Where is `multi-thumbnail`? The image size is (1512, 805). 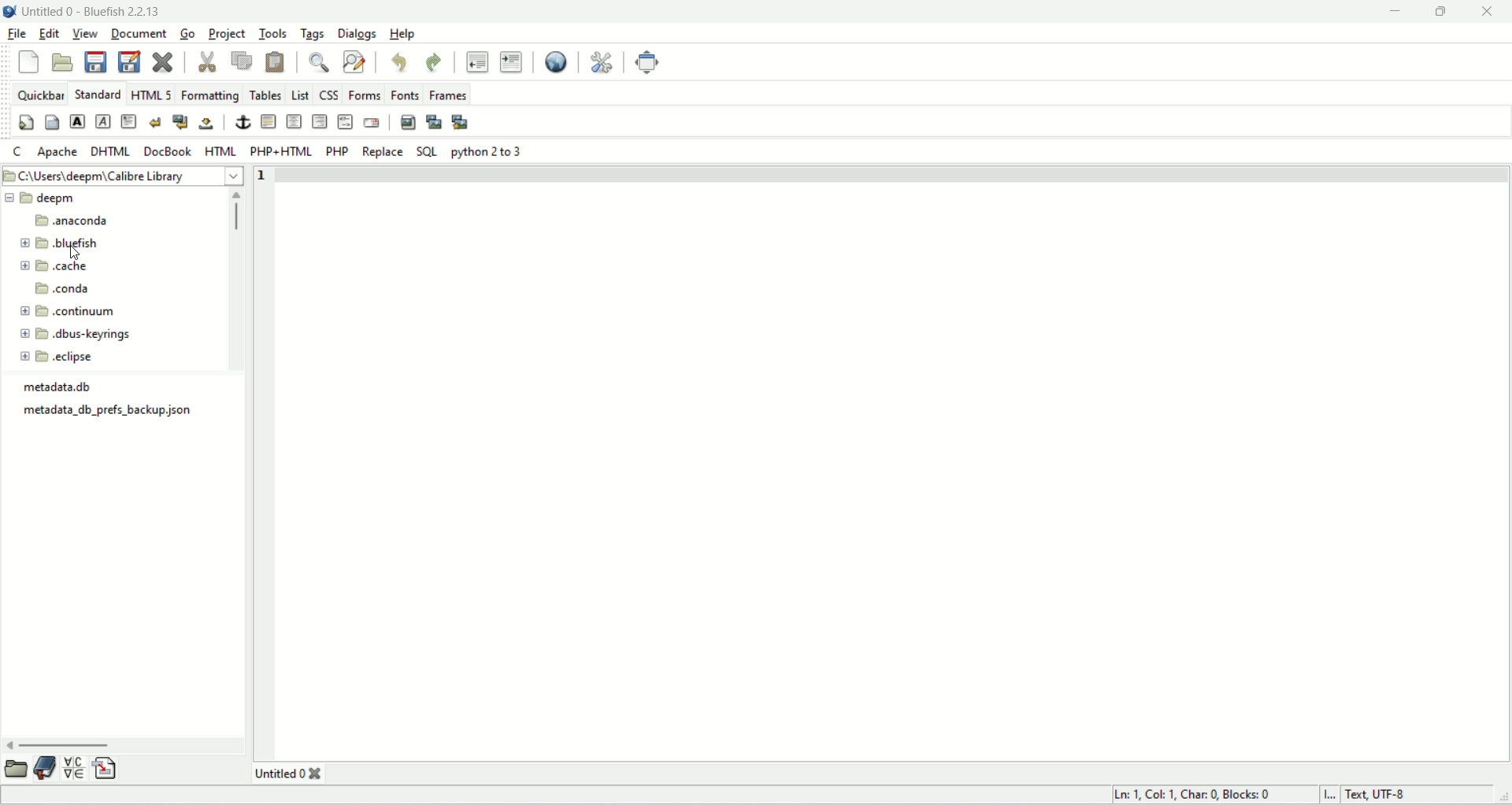 multi-thumbnail is located at coordinates (464, 122).